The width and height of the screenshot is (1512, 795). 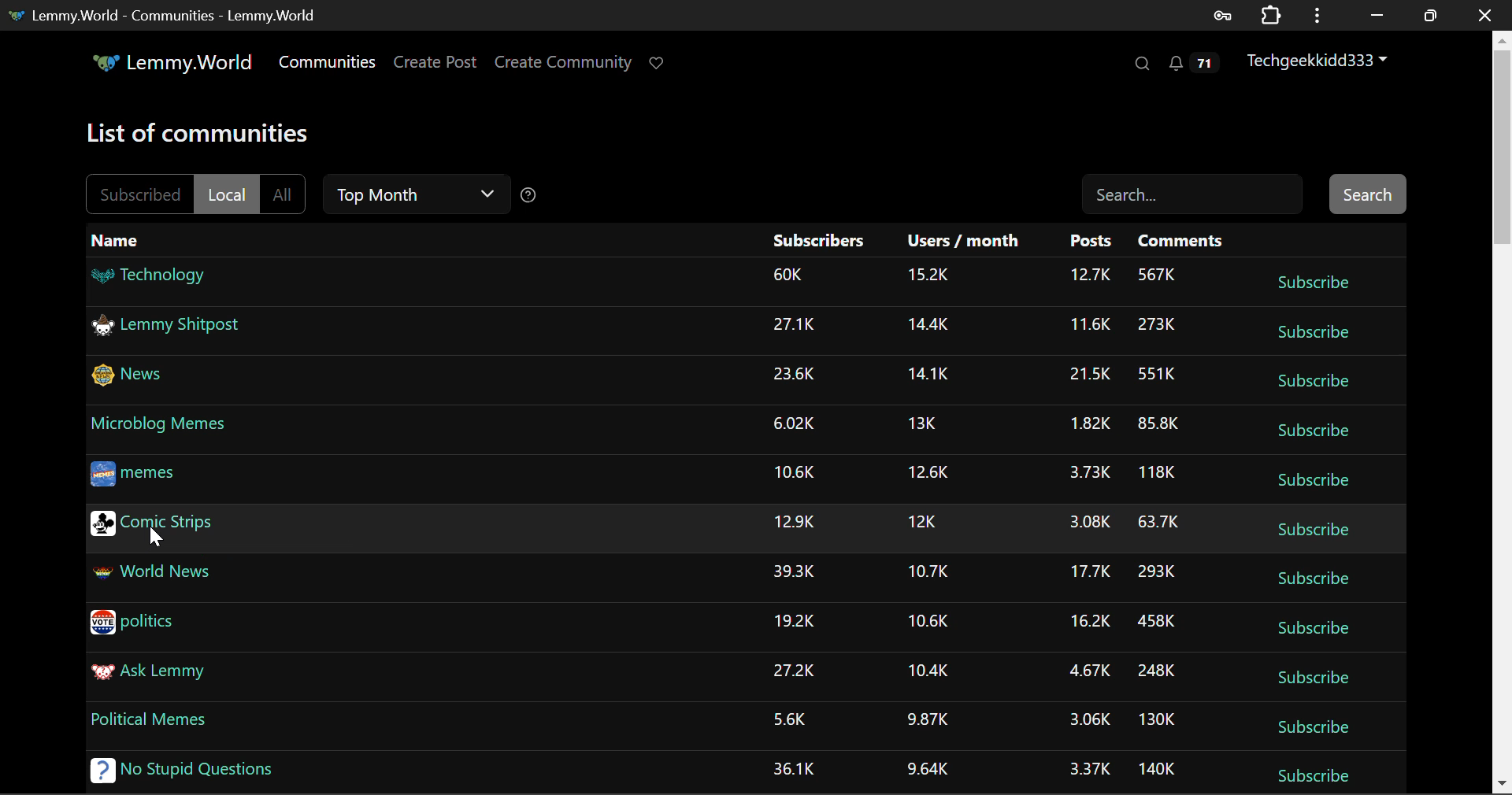 What do you see at coordinates (930, 279) in the screenshot?
I see `15.2K` at bounding box center [930, 279].